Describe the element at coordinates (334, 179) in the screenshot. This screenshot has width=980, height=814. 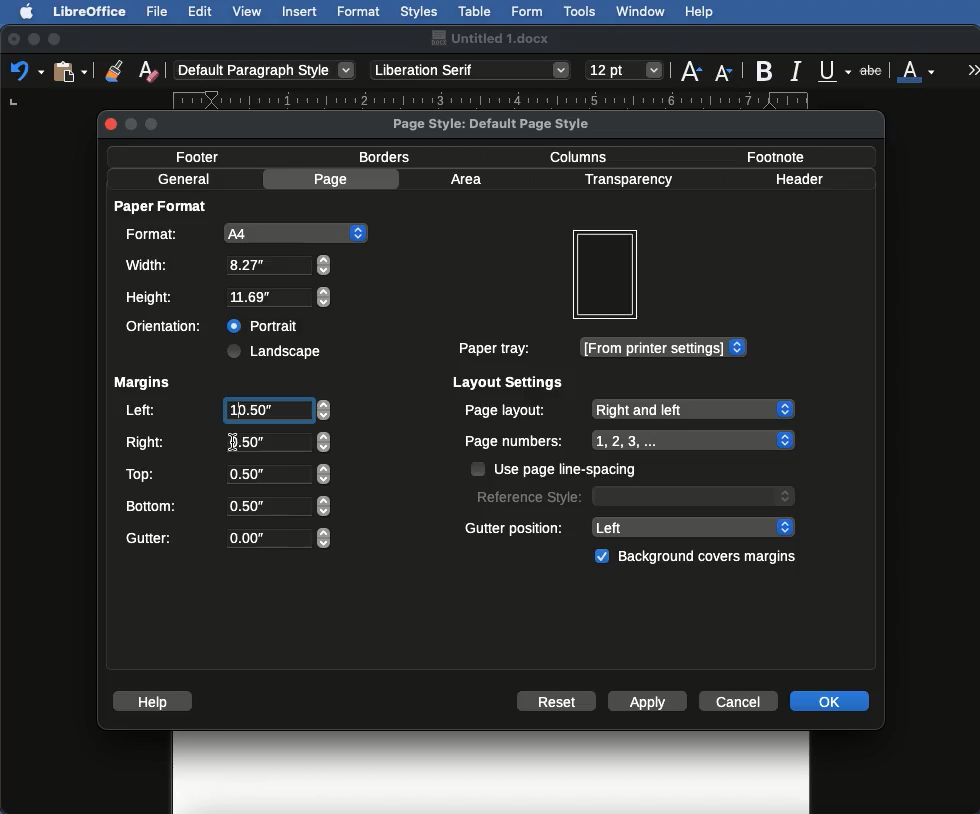
I see `Page` at that location.